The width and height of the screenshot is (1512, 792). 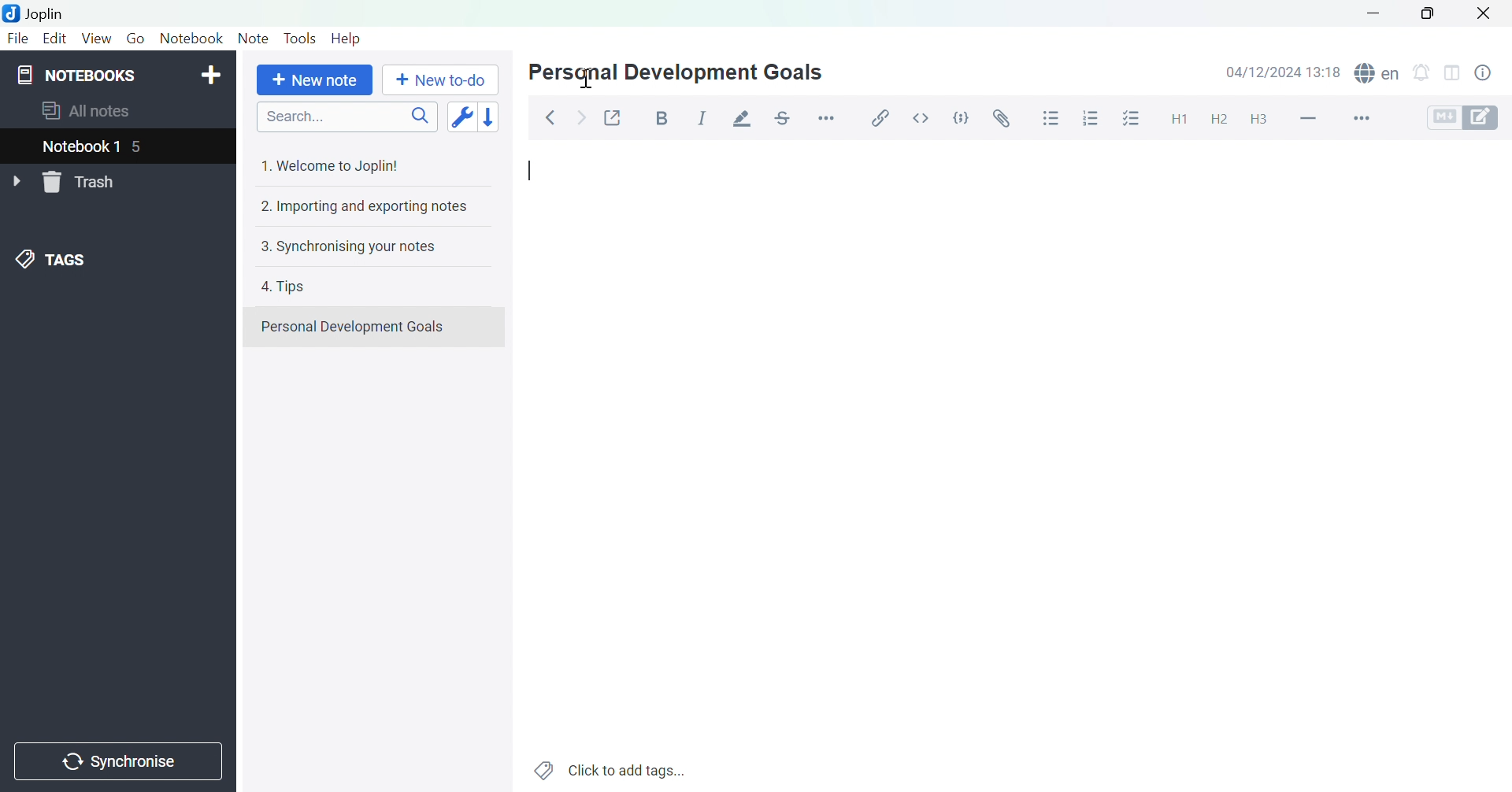 I want to click on Drop Down, so click(x=16, y=179).